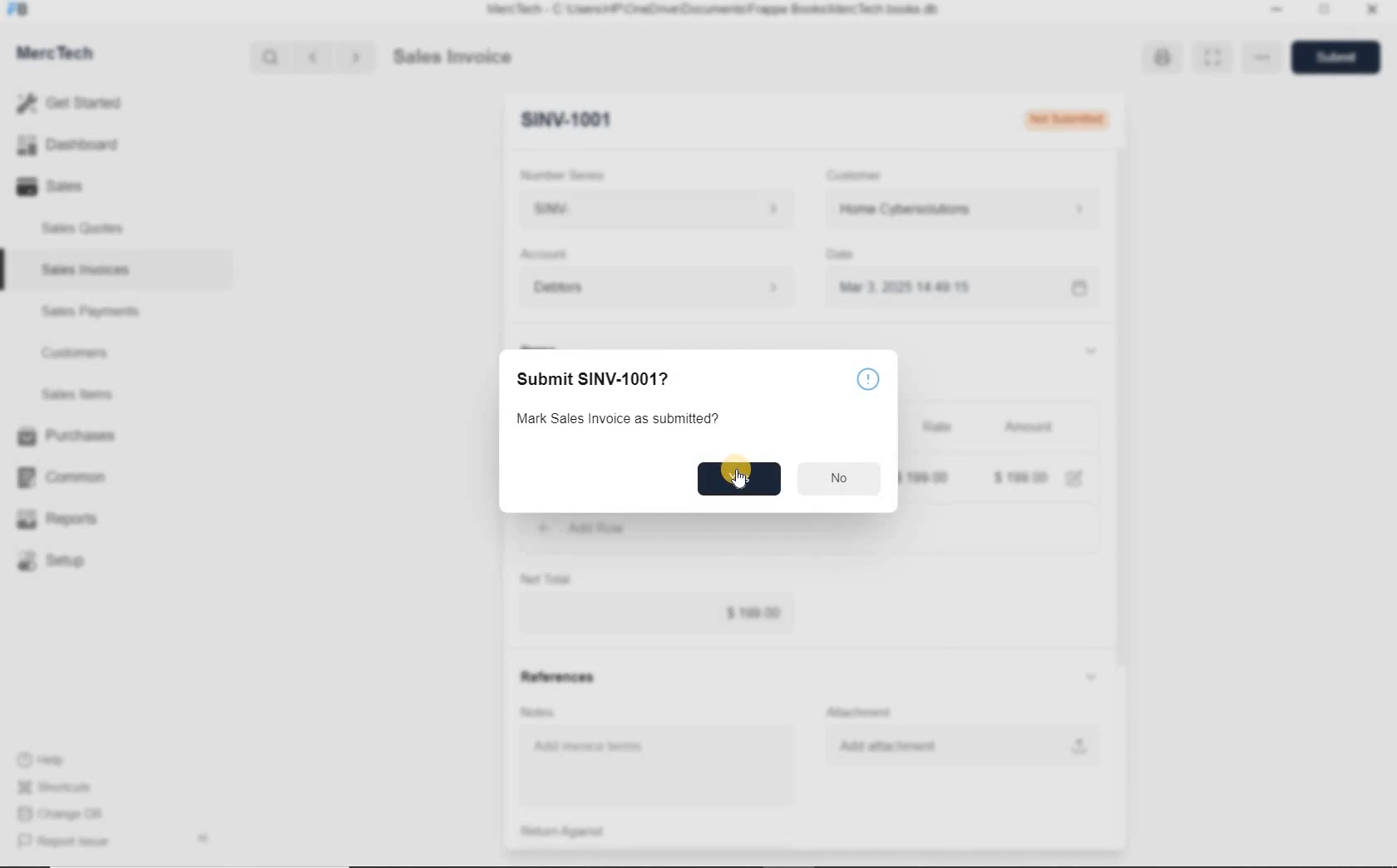 The image size is (1397, 868). I want to click on No, so click(840, 476).